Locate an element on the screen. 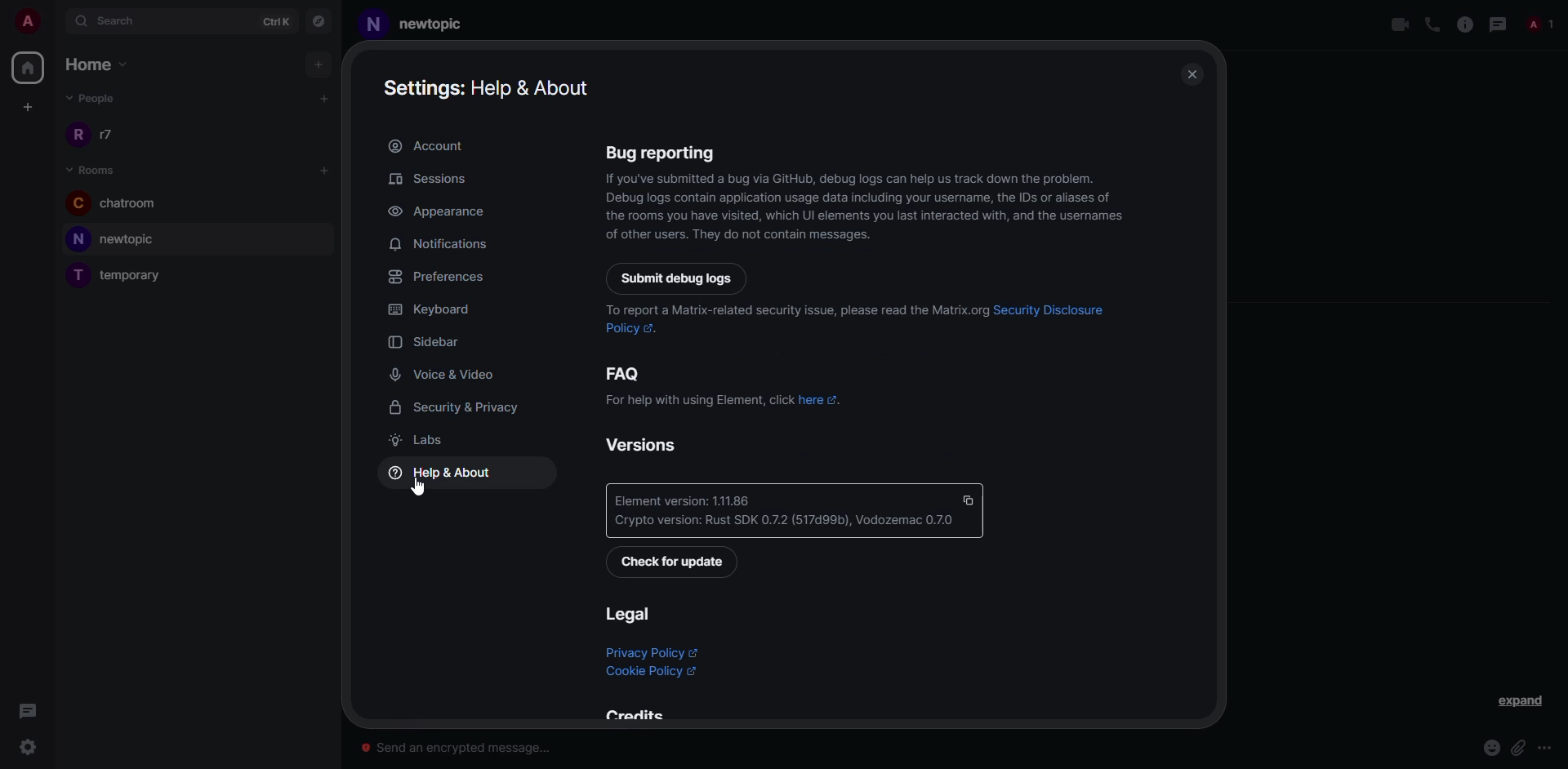 The width and height of the screenshot is (1568, 769). sidebar is located at coordinates (432, 342).